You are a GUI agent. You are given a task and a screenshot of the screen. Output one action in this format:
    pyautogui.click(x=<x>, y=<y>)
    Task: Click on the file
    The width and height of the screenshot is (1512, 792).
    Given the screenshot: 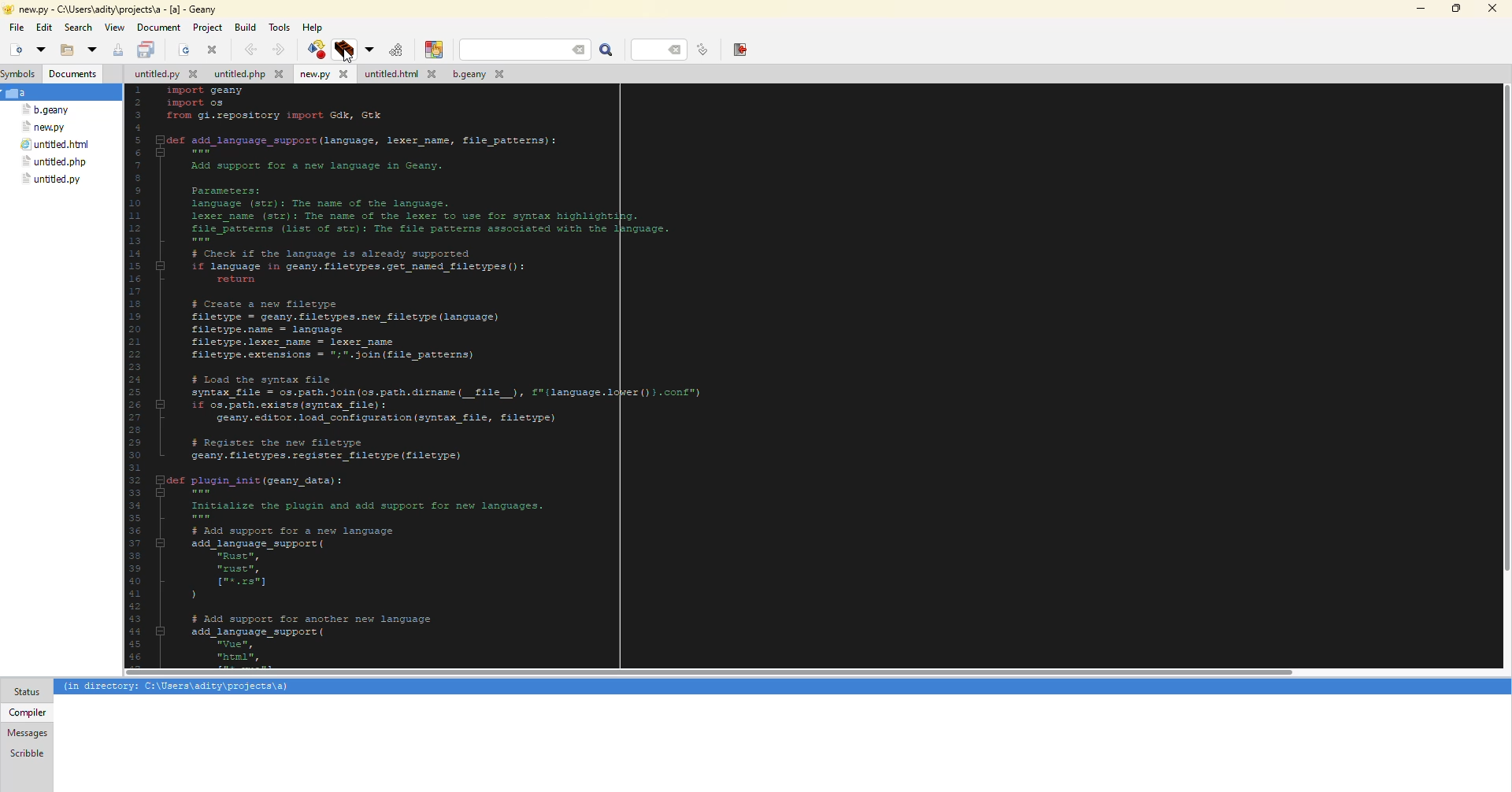 What is the action you would take?
    pyautogui.click(x=162, y=74)
    